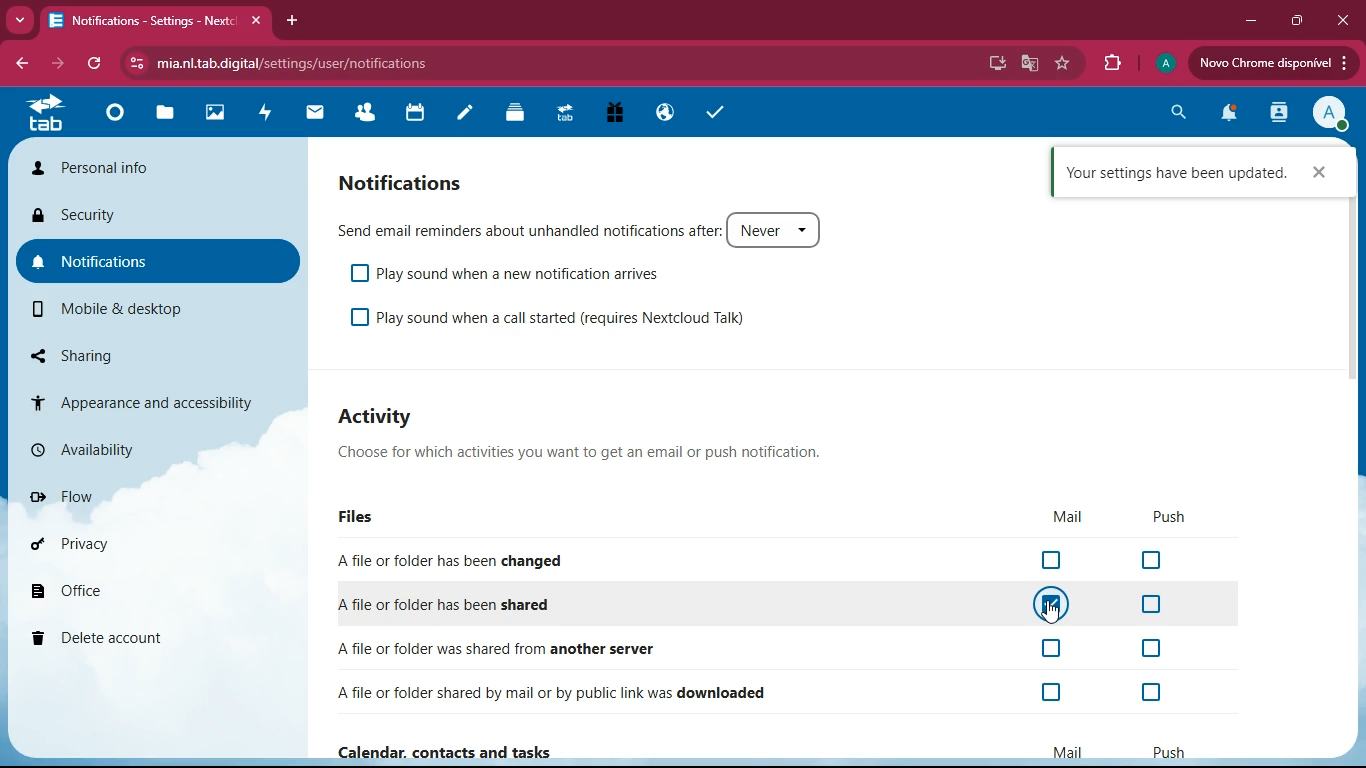 The height and width of the screenshot is (768, 1366). Describe the element at coordinates (311, 116) in the screenshot. I see `mail` at that location.